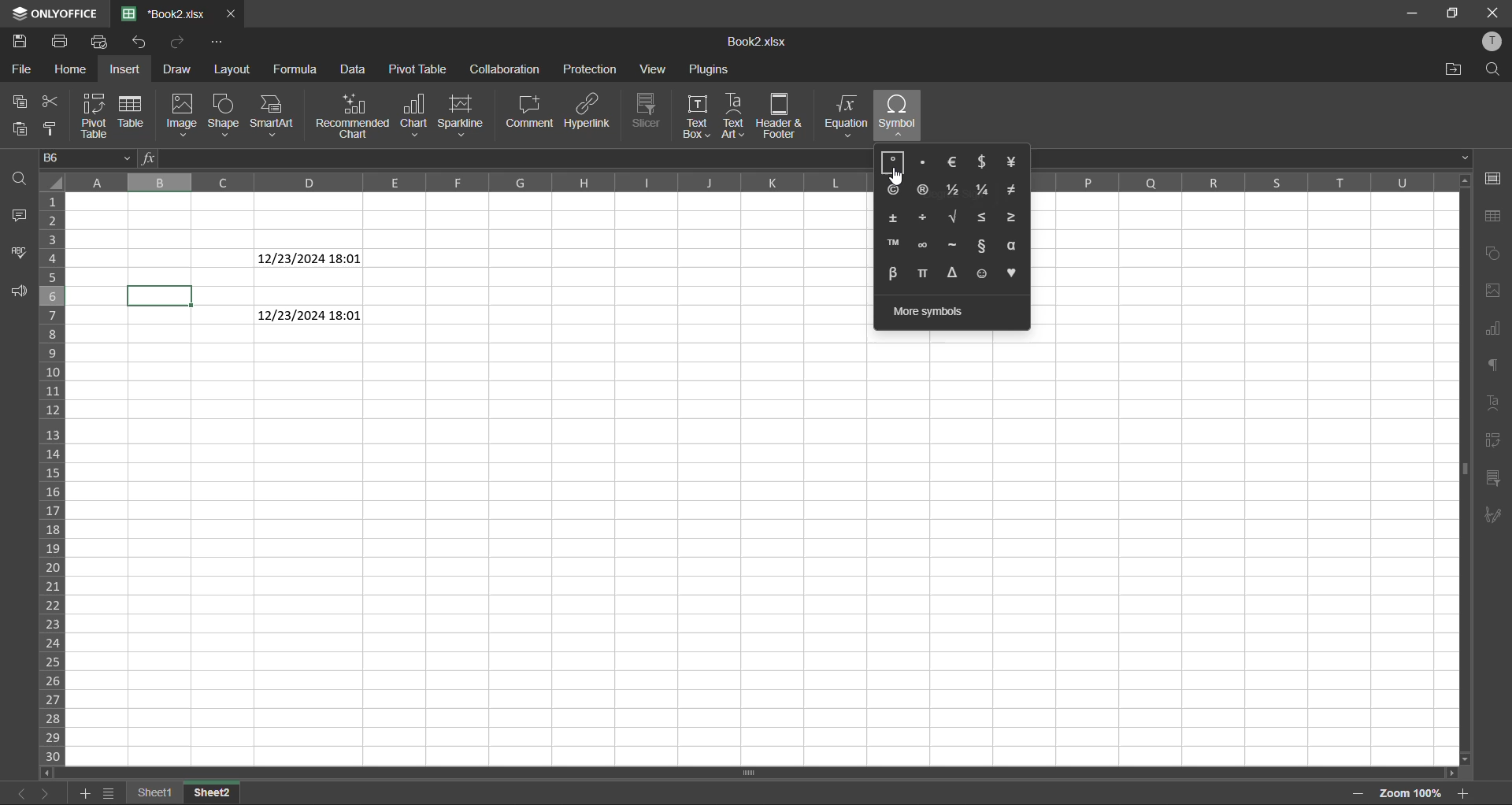  What do you see at coordinates (956, 162) in the screenshot?
I see `euro sign` at bounding box center [956, 162].